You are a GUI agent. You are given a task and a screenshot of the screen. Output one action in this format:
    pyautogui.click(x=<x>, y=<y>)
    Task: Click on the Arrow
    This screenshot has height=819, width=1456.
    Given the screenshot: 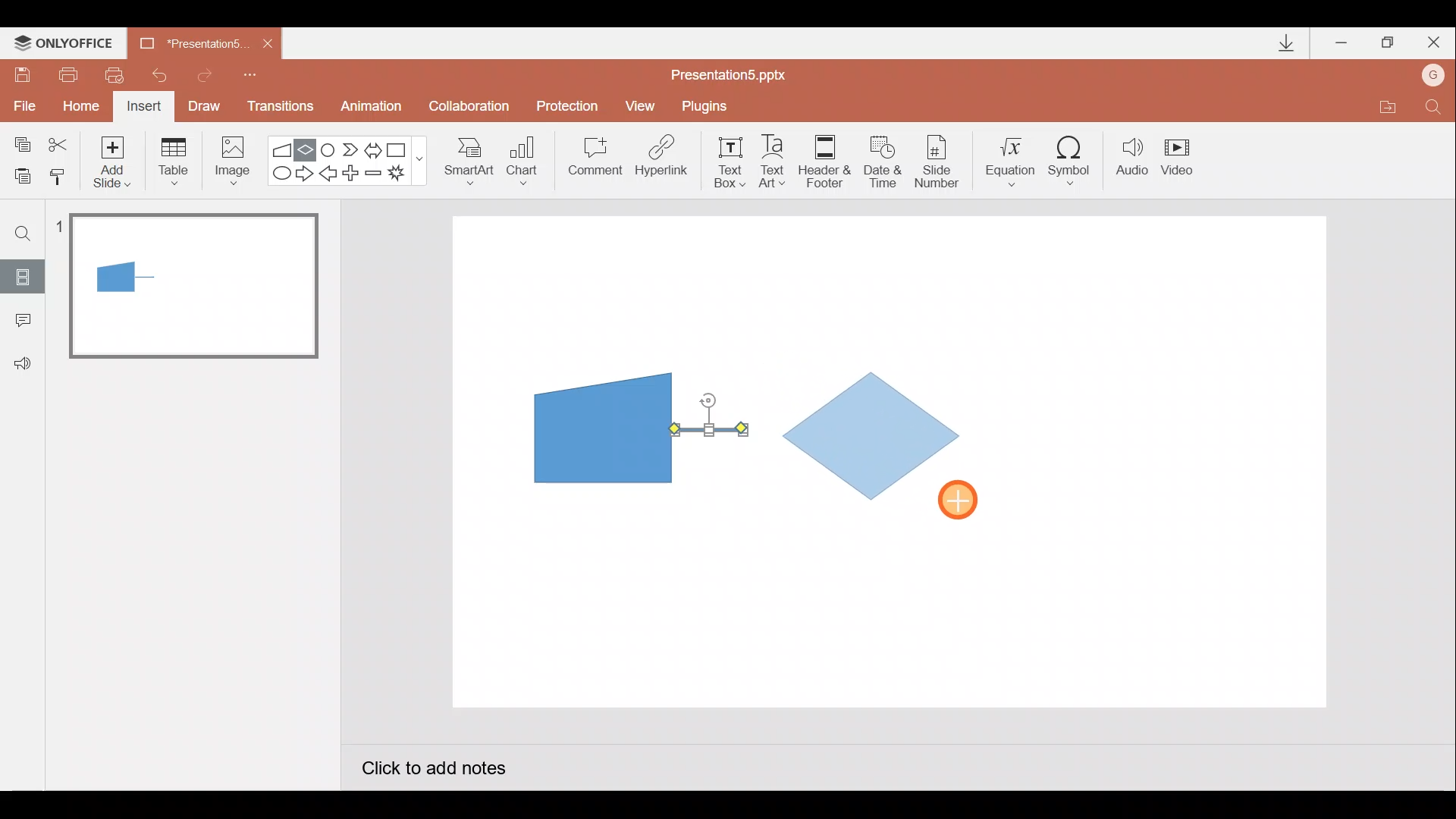 What is the action you would take?
    pyautogui.click(x=709, y=429)
    